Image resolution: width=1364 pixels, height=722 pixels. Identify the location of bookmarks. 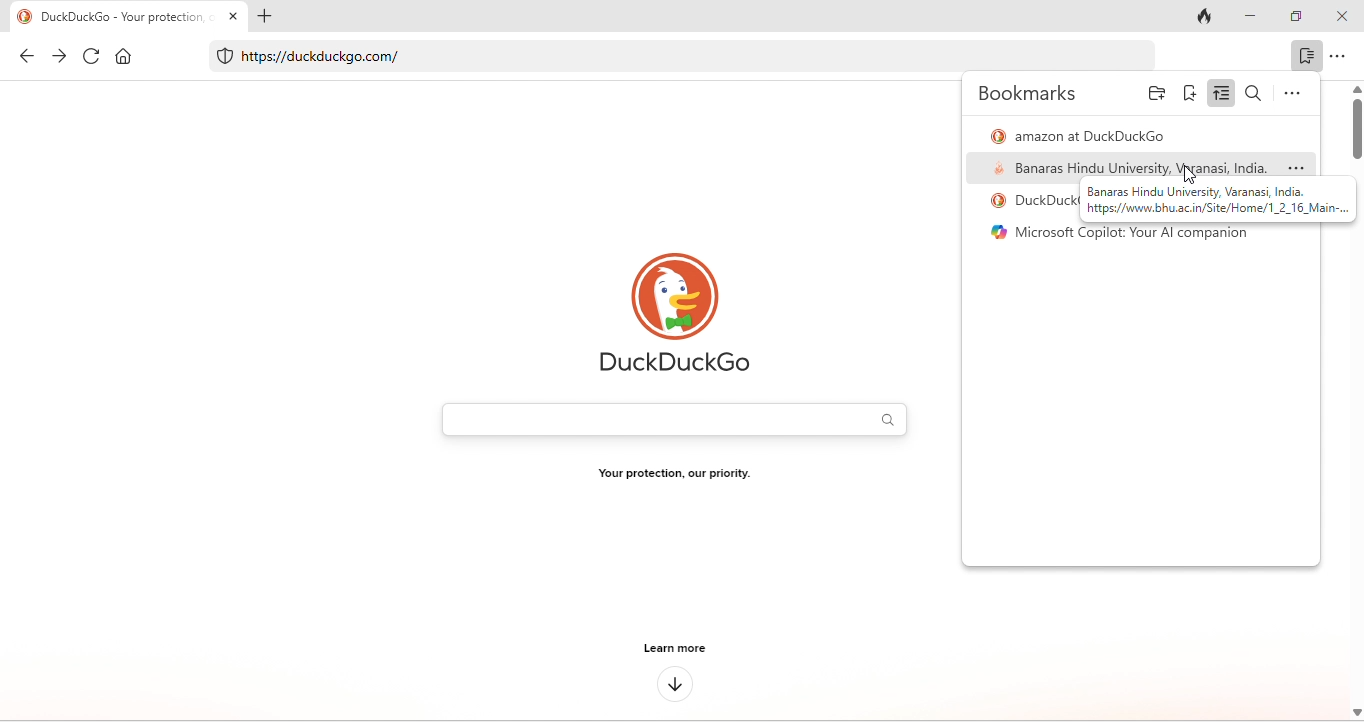
(1031, 96).